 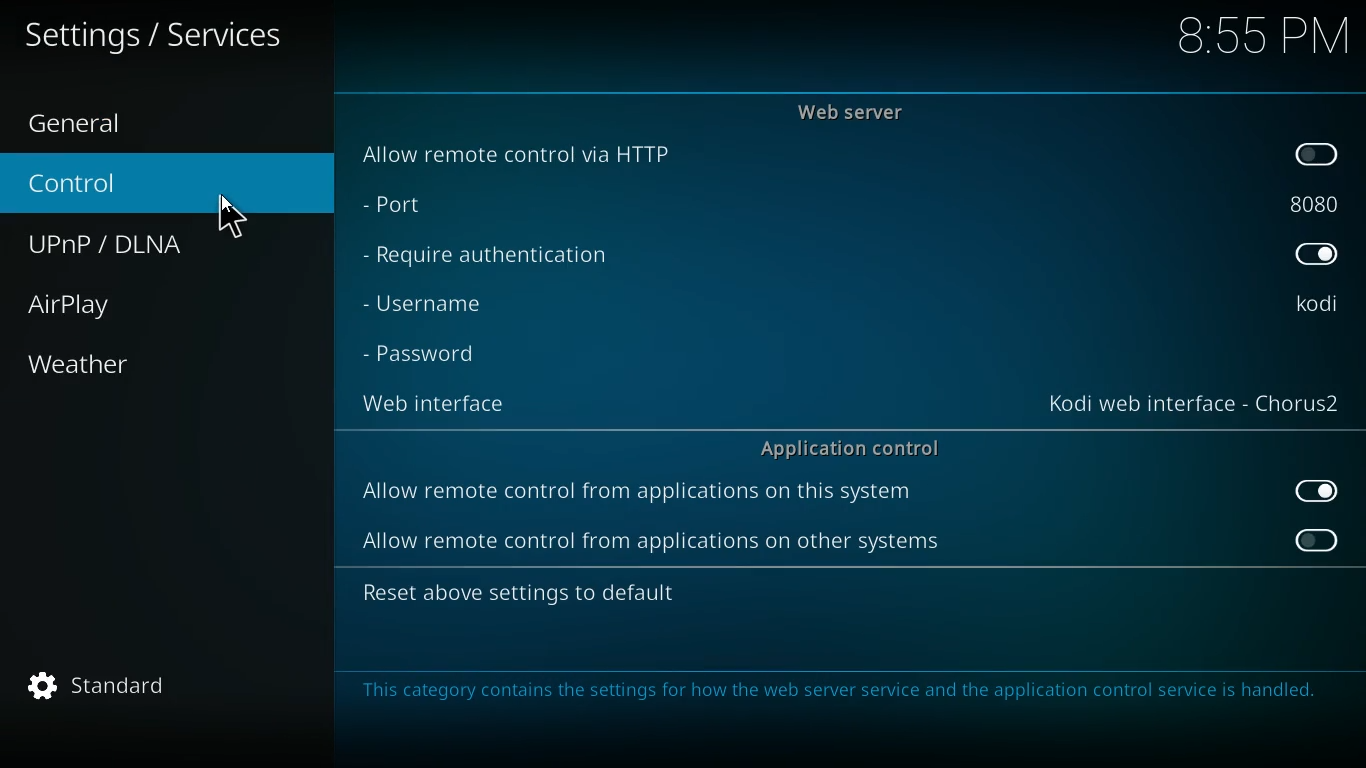 What do you see at coordinates (125, 245) in the screenshot?
I see `UPnP / DLNA` at bounding box center [125, 245].